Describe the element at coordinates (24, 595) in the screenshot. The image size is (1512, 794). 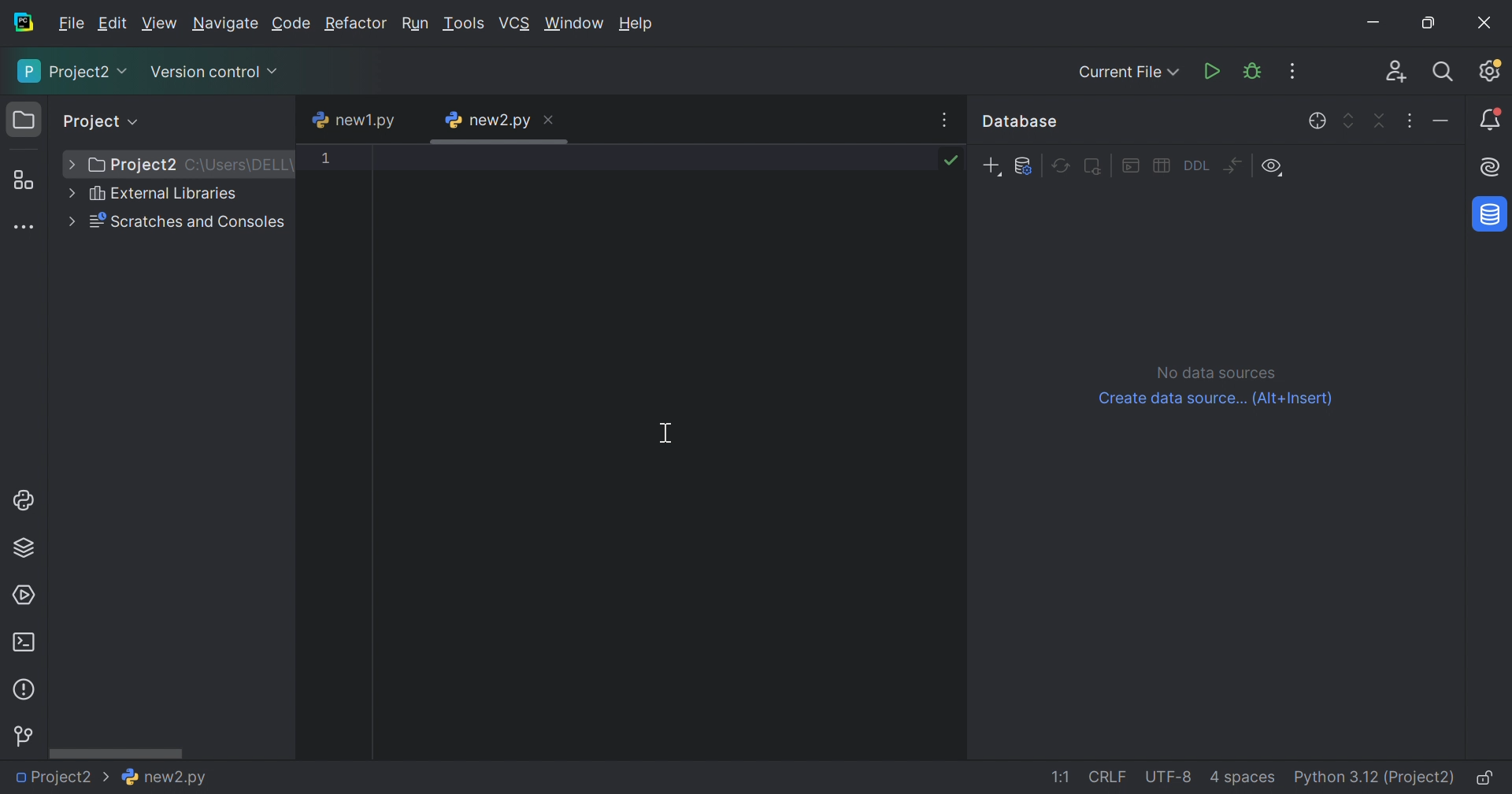
I see `Services` at that location.